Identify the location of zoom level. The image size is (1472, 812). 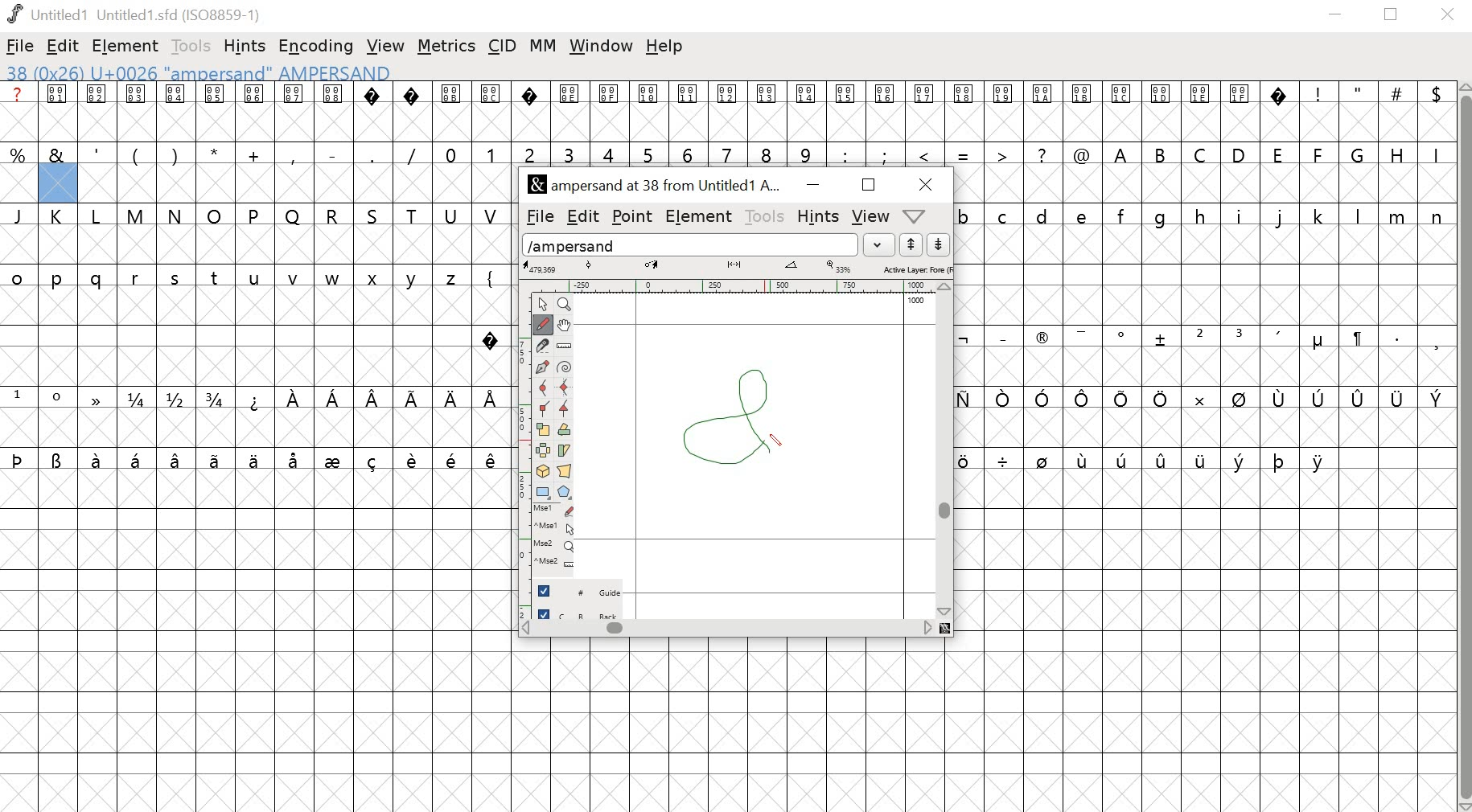
(841, 267).